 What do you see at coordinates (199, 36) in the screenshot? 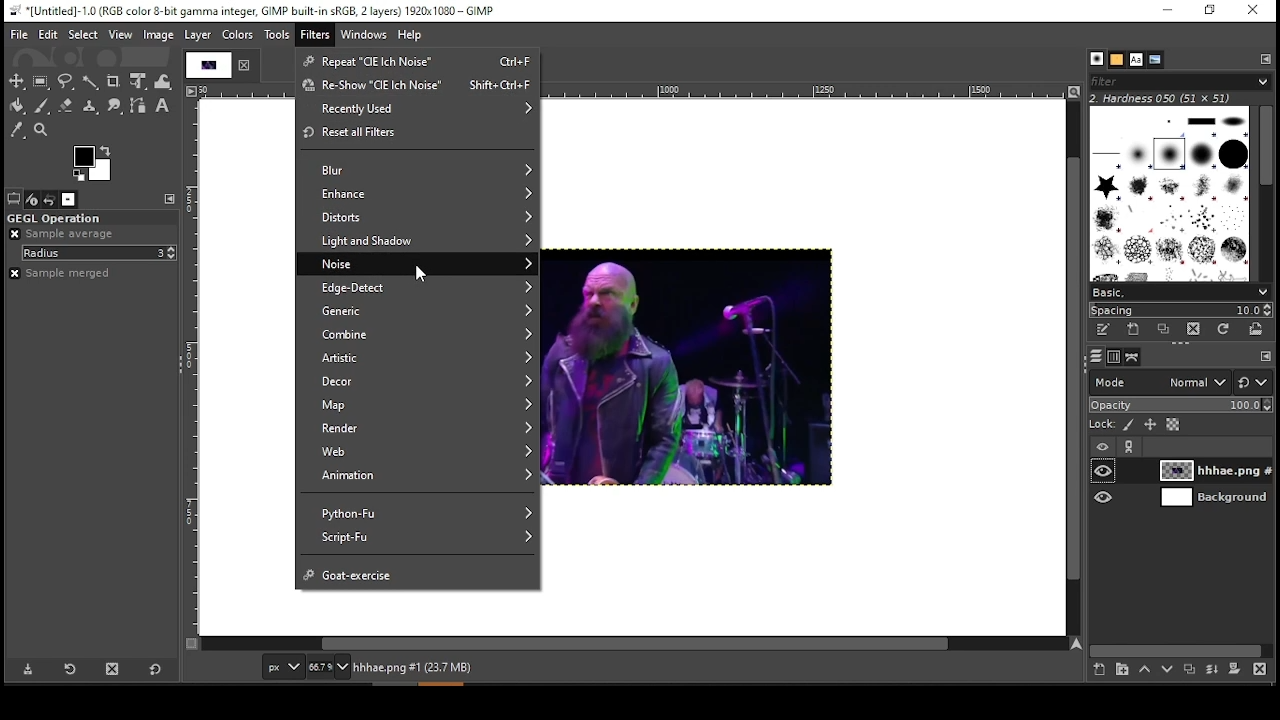
I see `layer` at bounding box center [199, 36].